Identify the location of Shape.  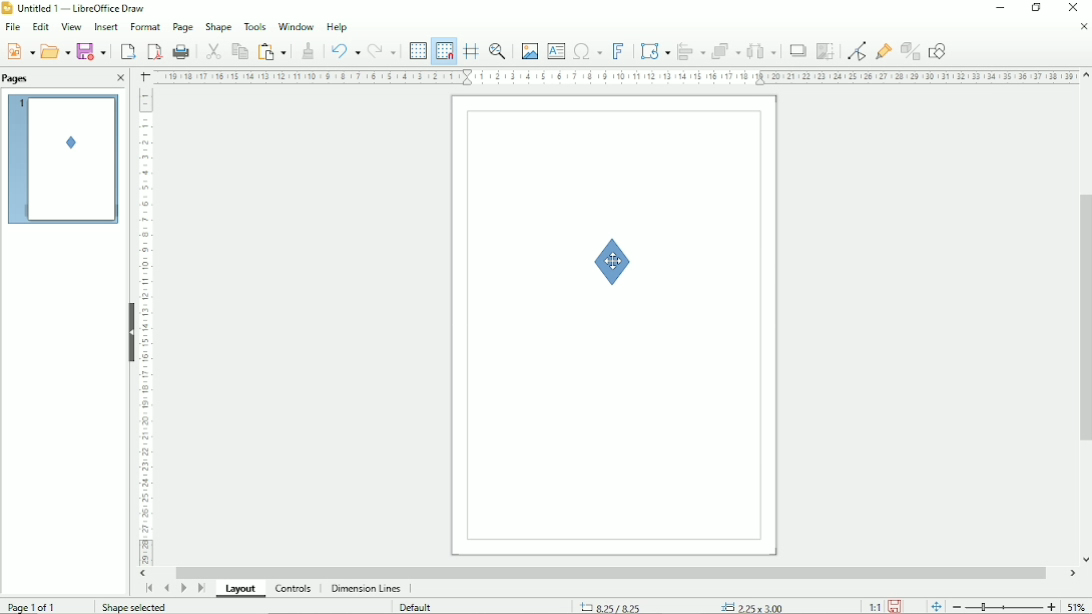
(218, 25).